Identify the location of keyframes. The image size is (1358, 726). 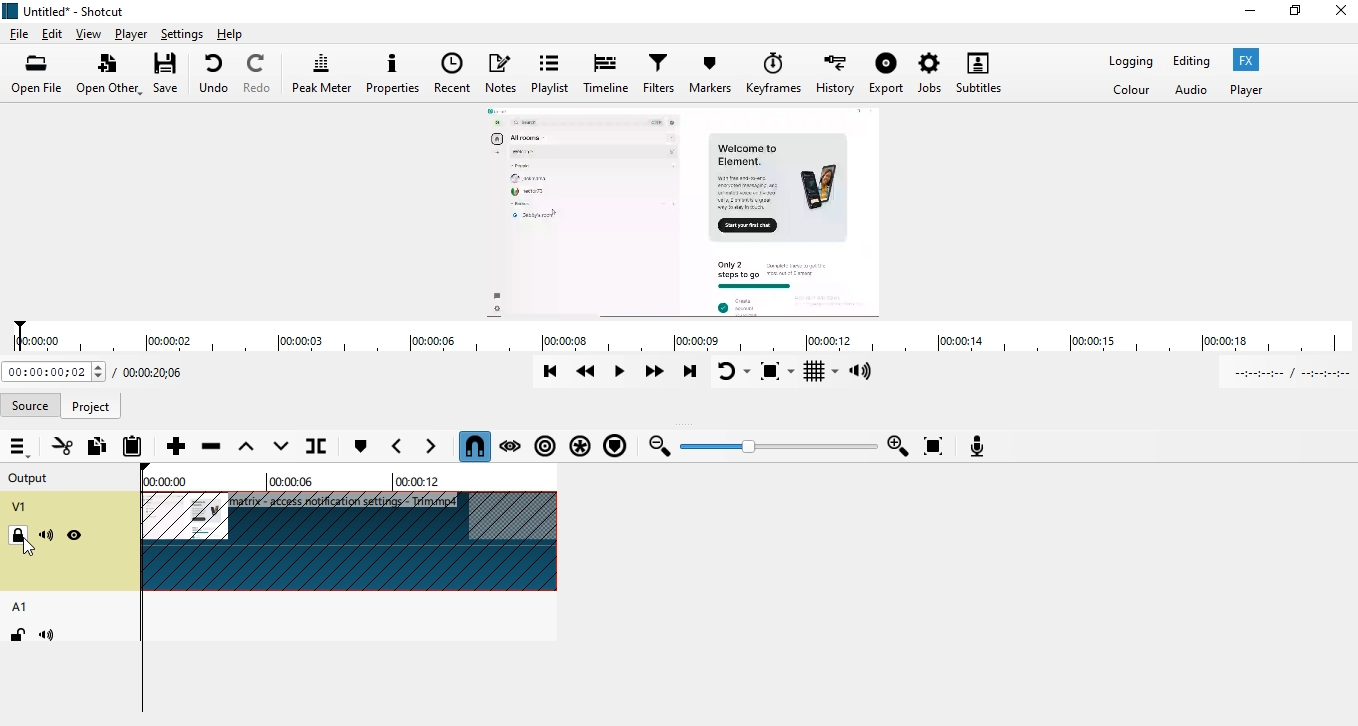
(771, 75).